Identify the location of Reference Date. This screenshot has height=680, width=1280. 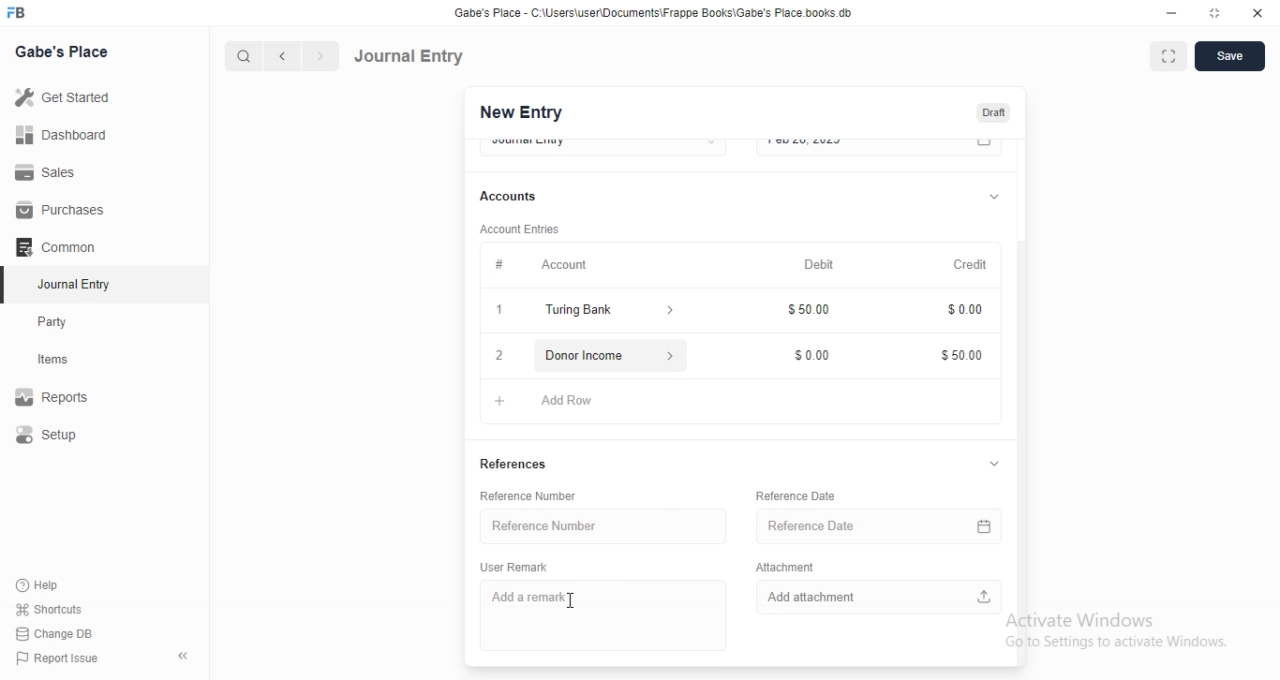
(862, 523).